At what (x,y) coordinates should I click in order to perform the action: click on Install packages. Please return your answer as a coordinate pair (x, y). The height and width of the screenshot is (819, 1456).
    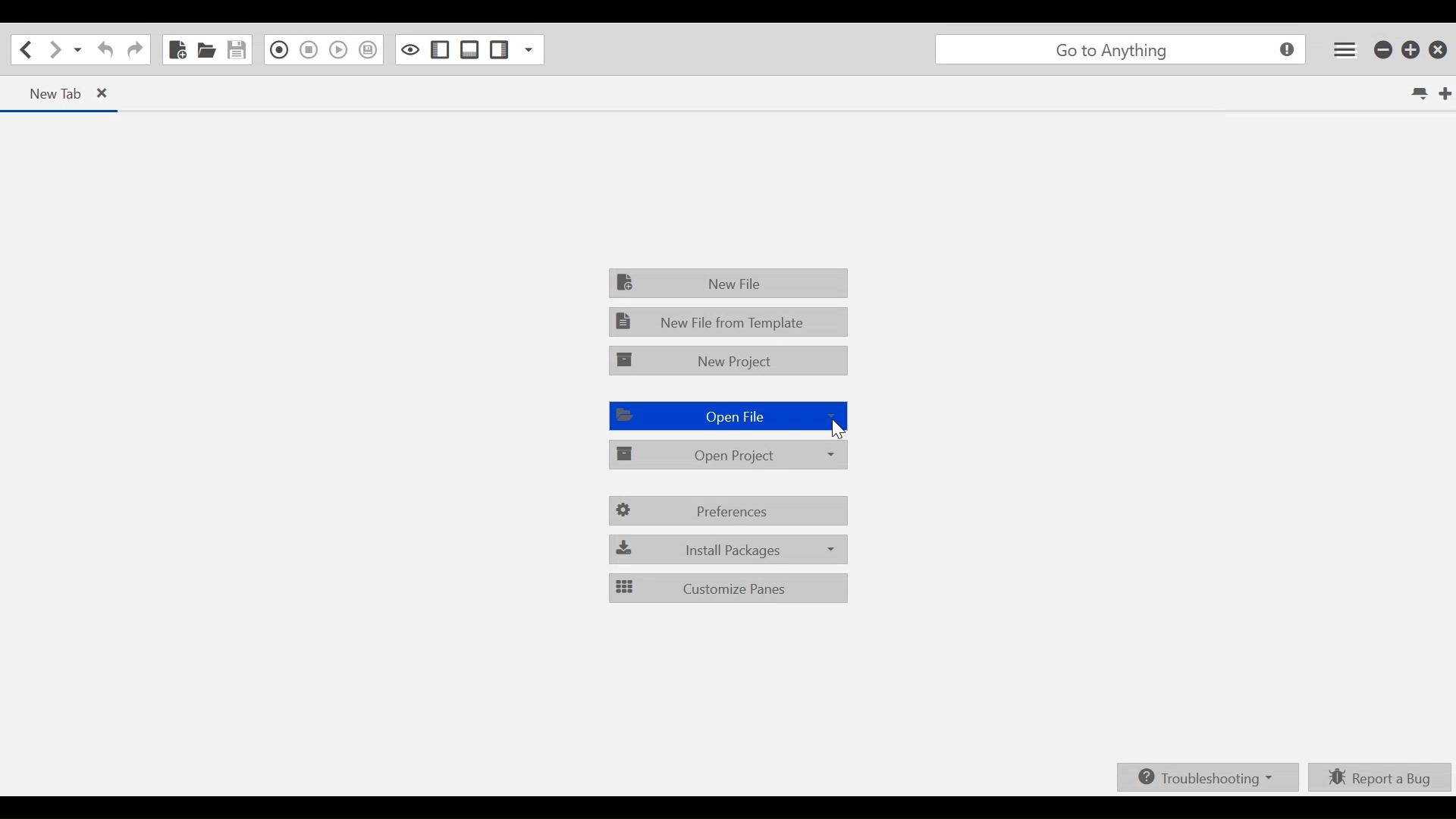
    Looking at the image, I should click on (726, 548).